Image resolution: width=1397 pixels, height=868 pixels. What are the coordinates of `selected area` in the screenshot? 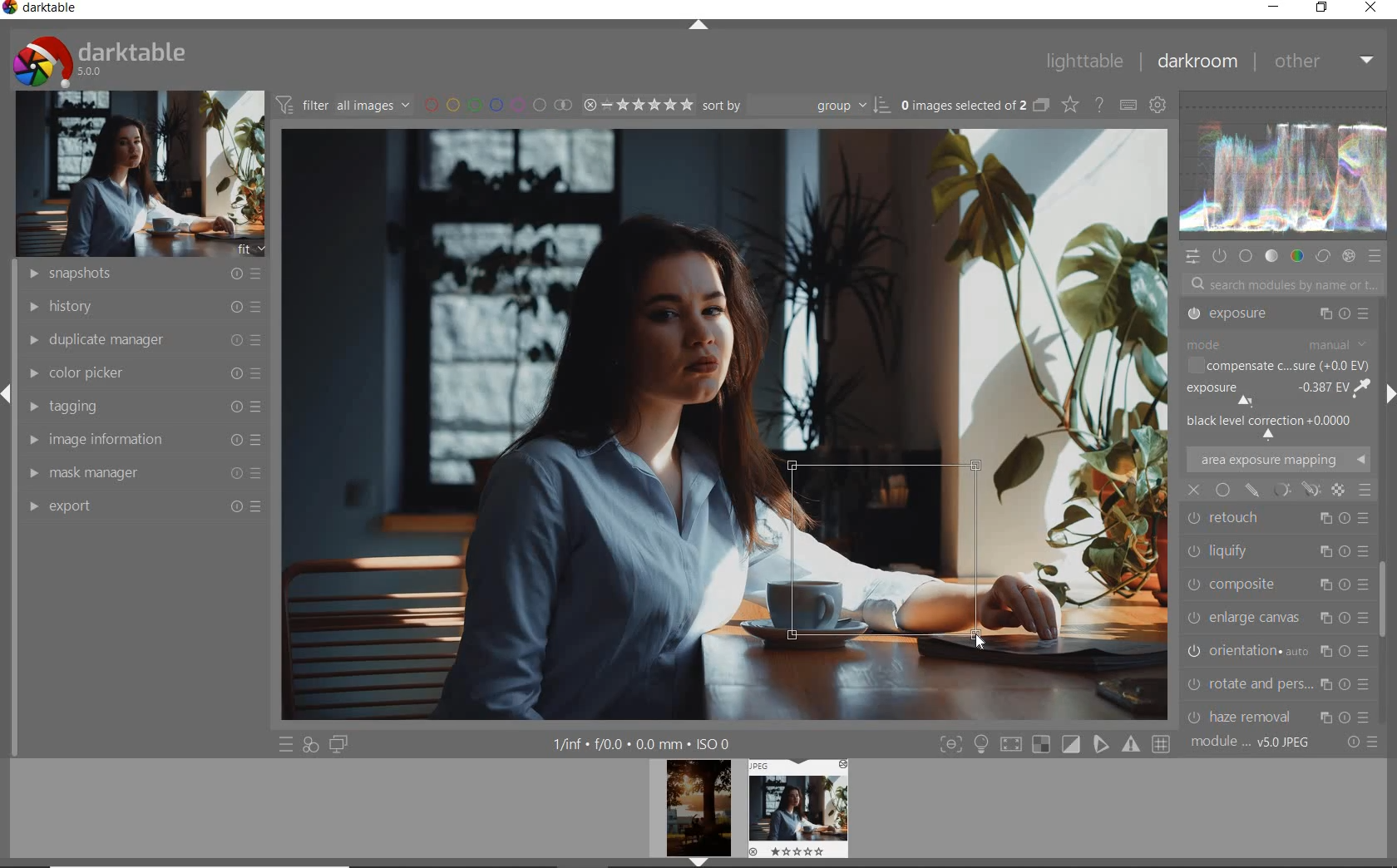 It's located at (886, 554).